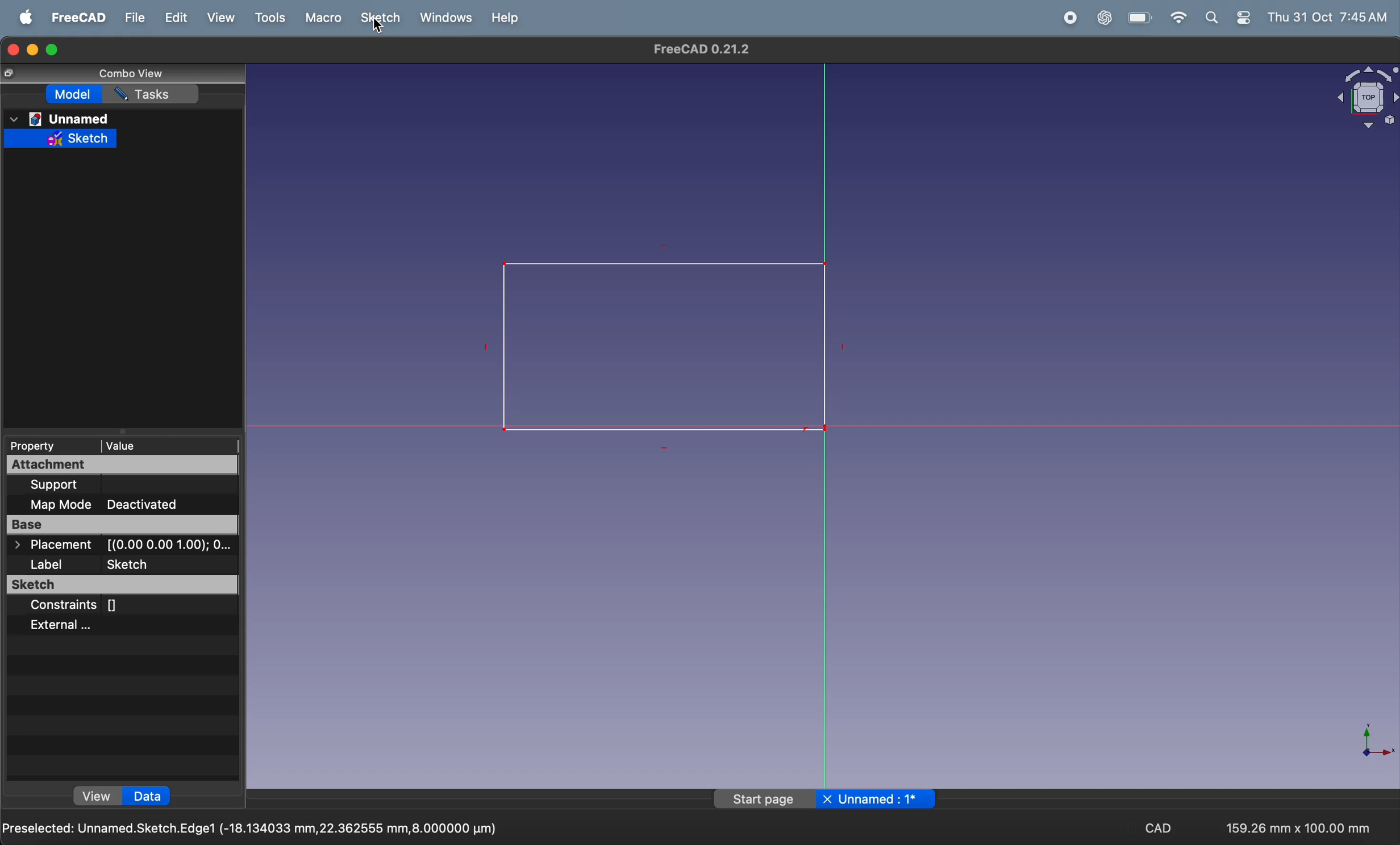 The width and height of the screenshot is (1400, 845). What do you see at coordinates (136, 443) in the screenshot?
I see `value` at bounding box center [136, 443].